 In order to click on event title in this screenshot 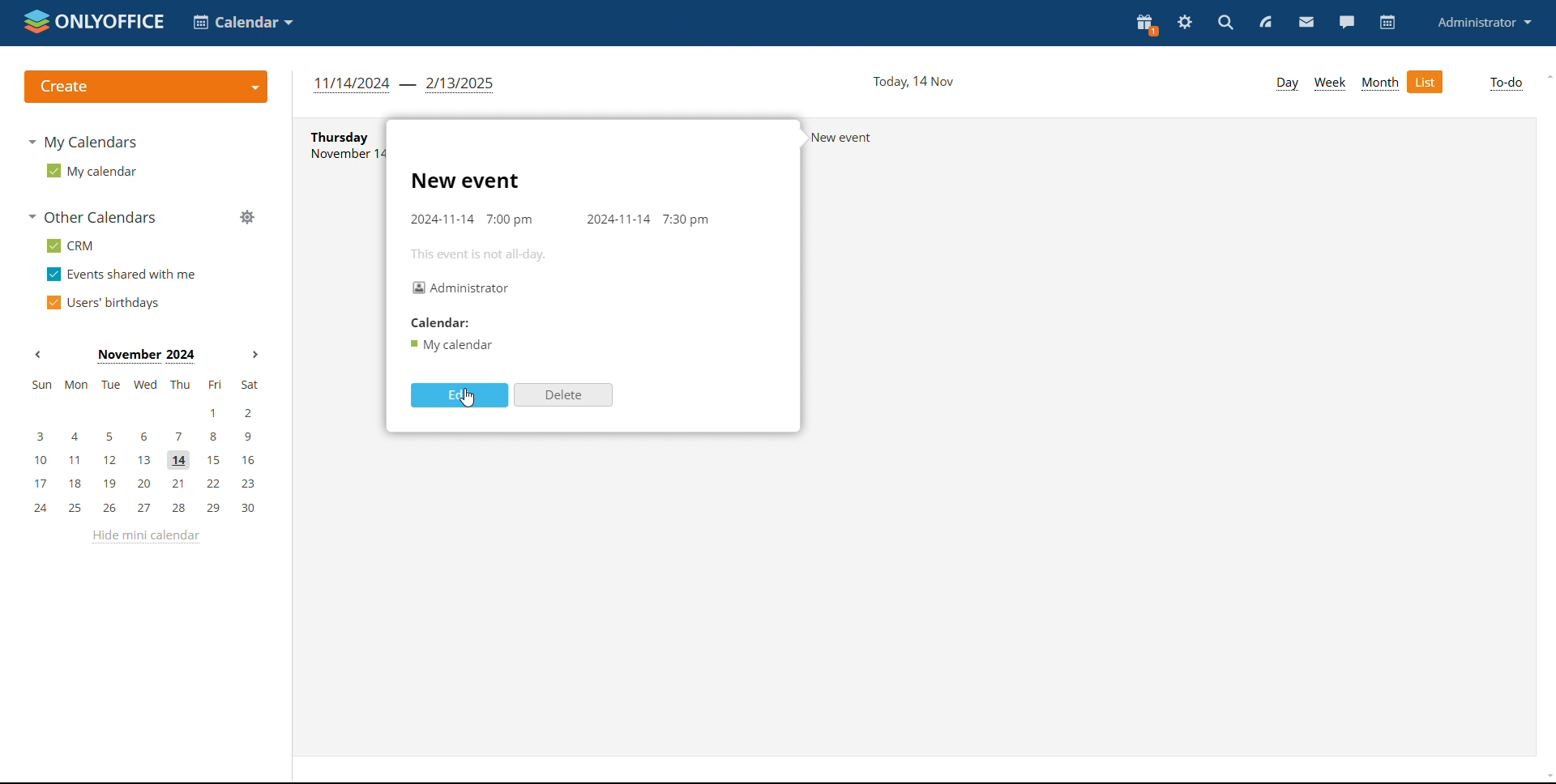, I will do `click(464, 181)`.